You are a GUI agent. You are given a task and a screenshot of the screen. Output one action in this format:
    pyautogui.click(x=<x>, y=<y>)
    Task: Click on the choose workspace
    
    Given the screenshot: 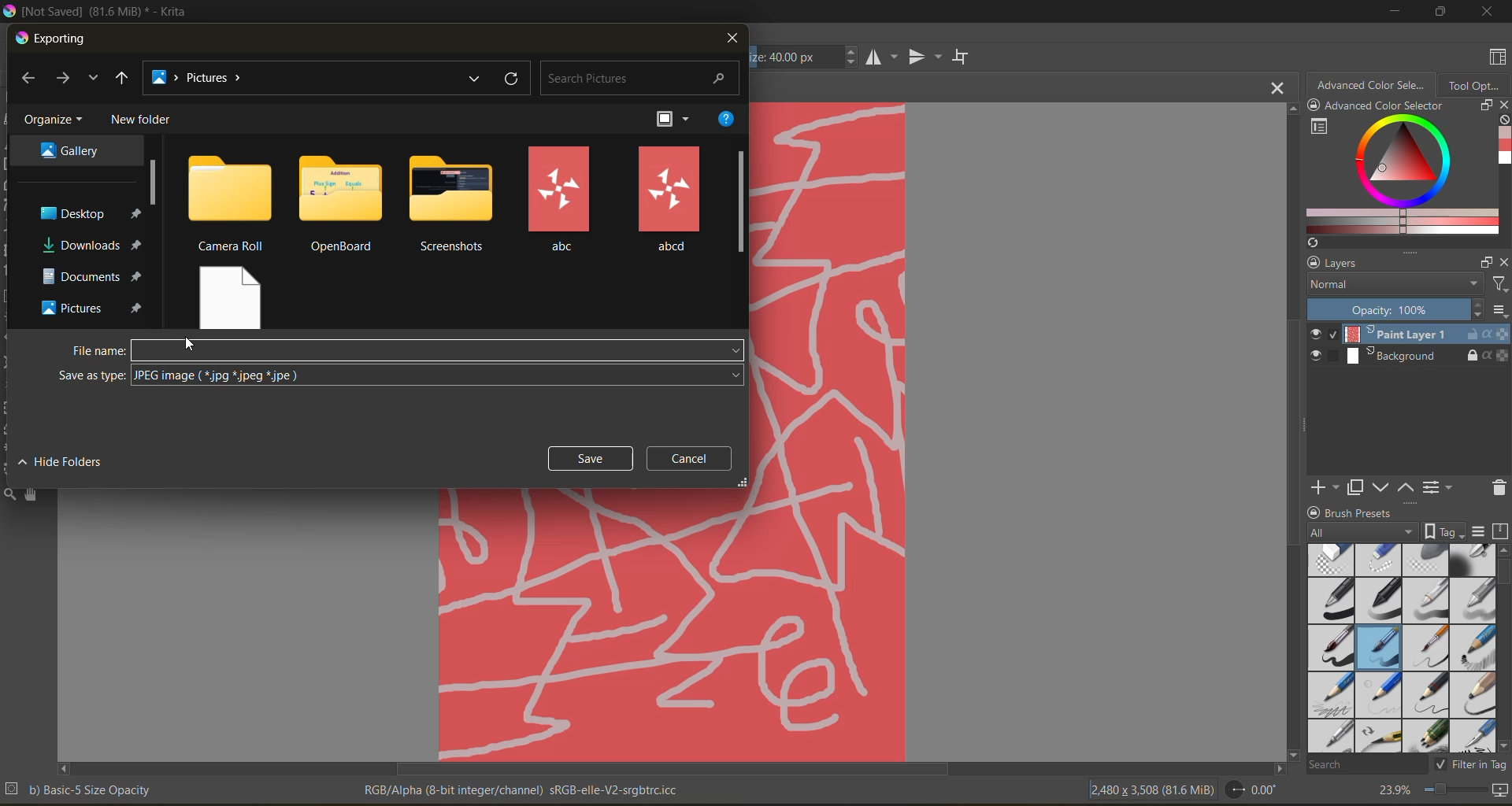 What is the action you would take?
    pyautogui.click(x=1494, y=59)
    